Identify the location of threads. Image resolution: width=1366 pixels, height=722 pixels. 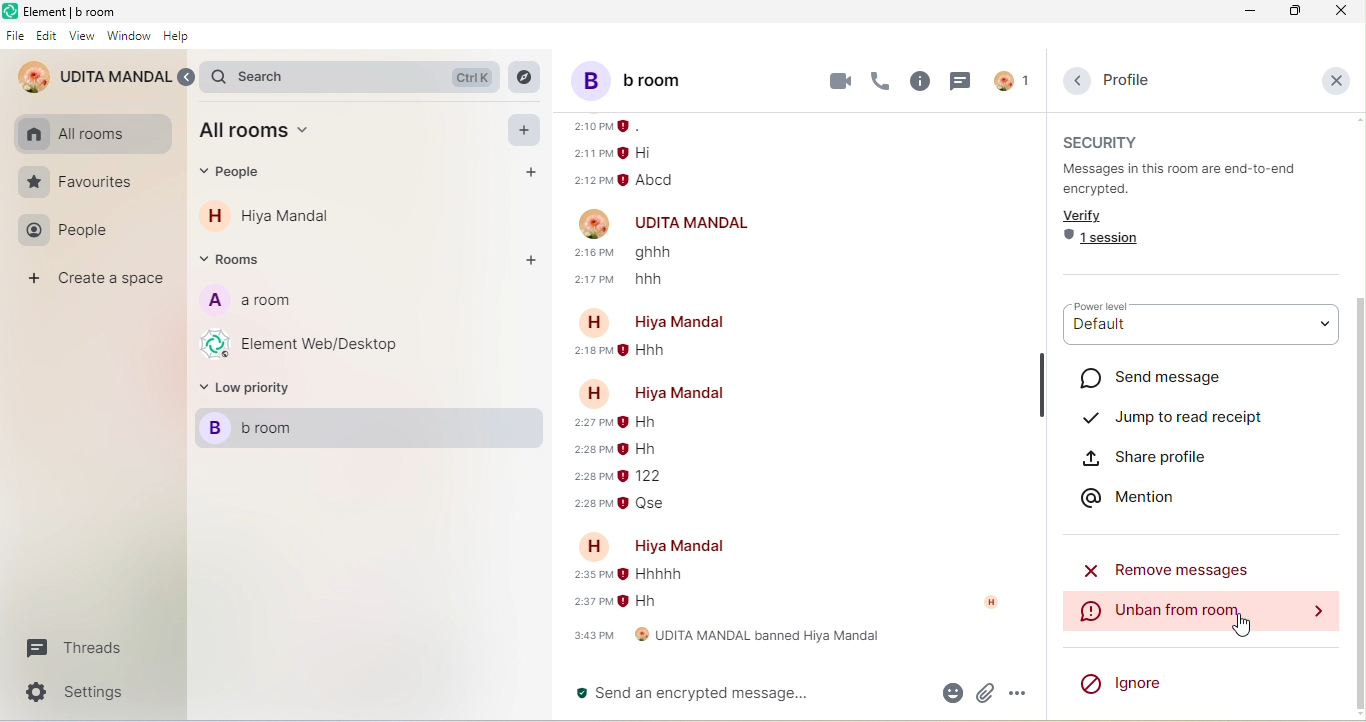
(958, 80).